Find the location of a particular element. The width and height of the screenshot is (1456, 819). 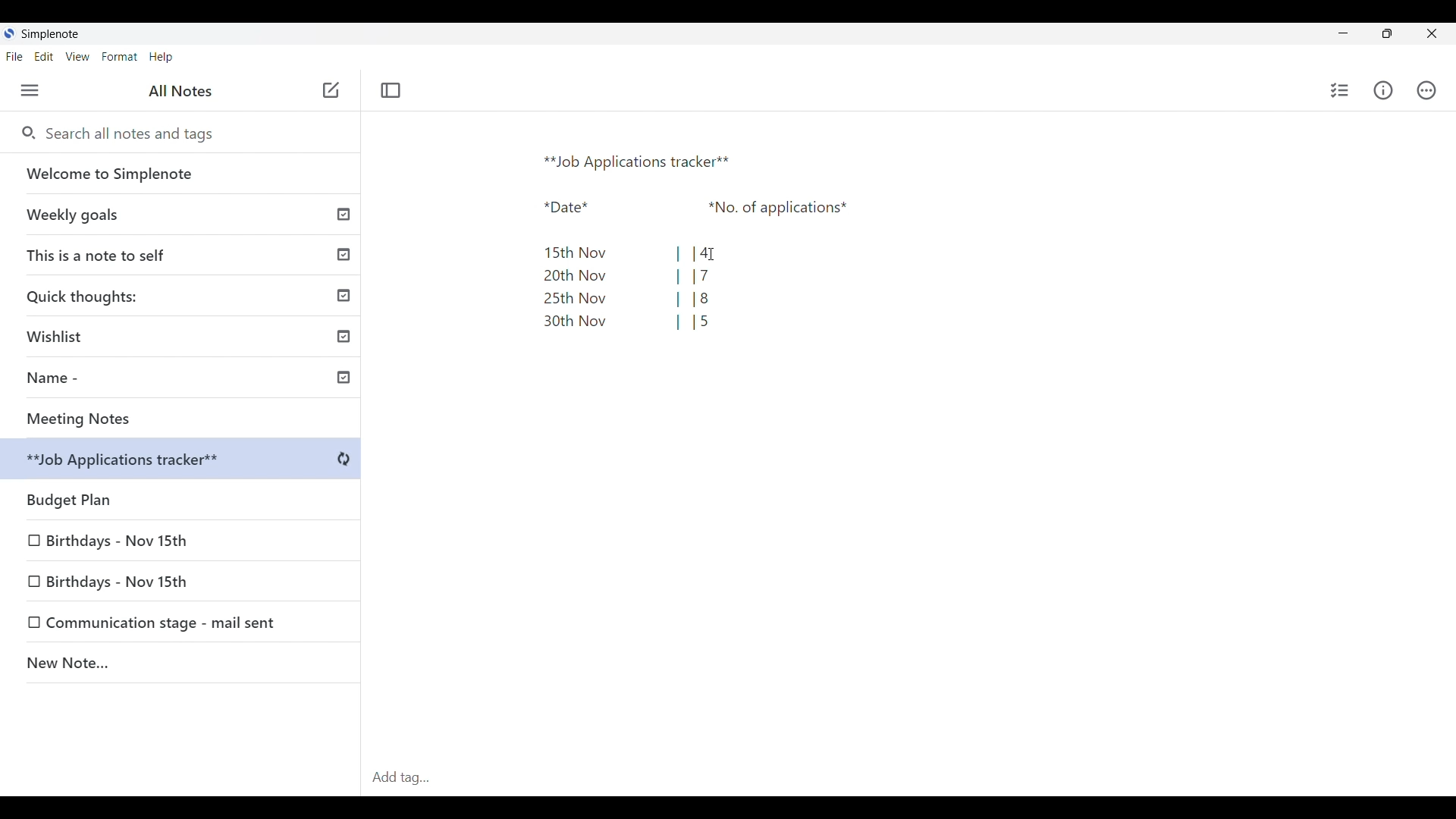

View  is located at coordinates (77, 57).